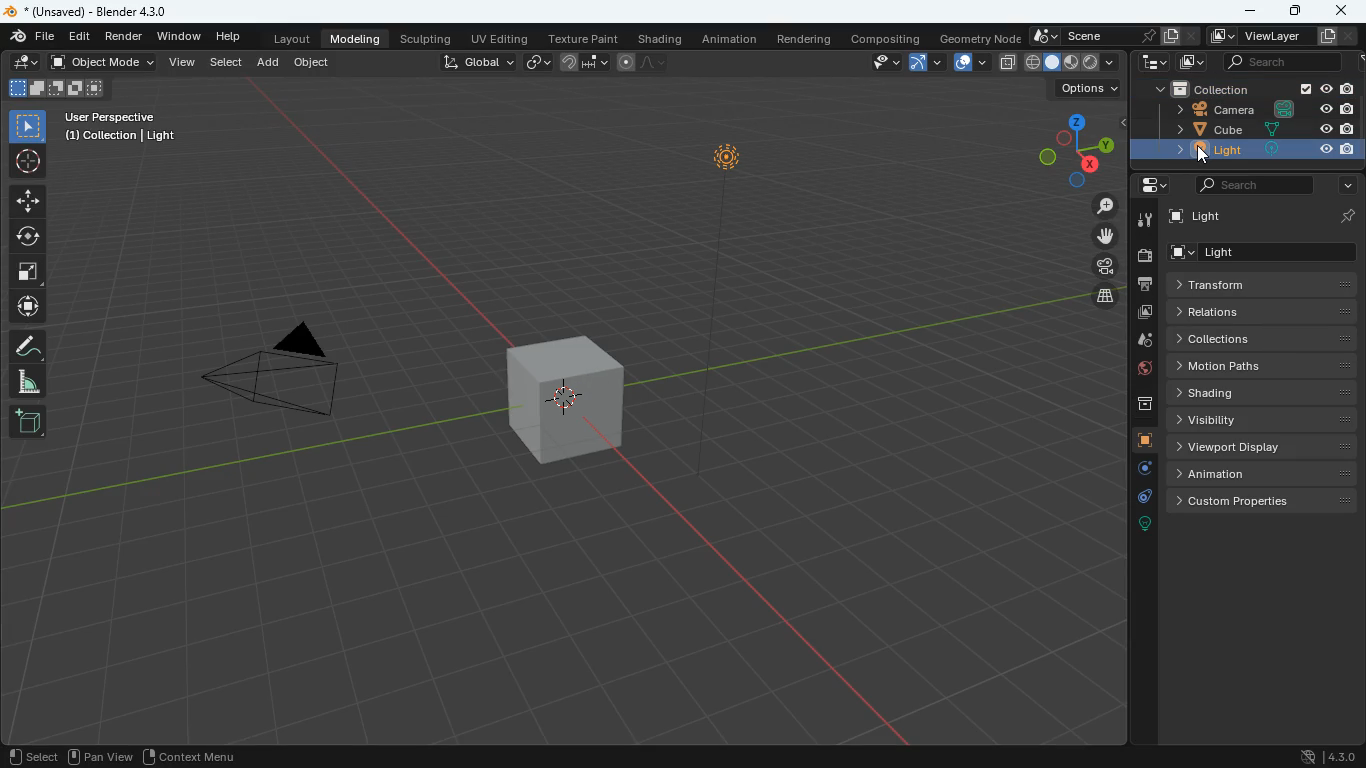  What do you see at coordinates (1263, 475) in the screenshot?
I see `animation` at bounding box center [1263, 475].